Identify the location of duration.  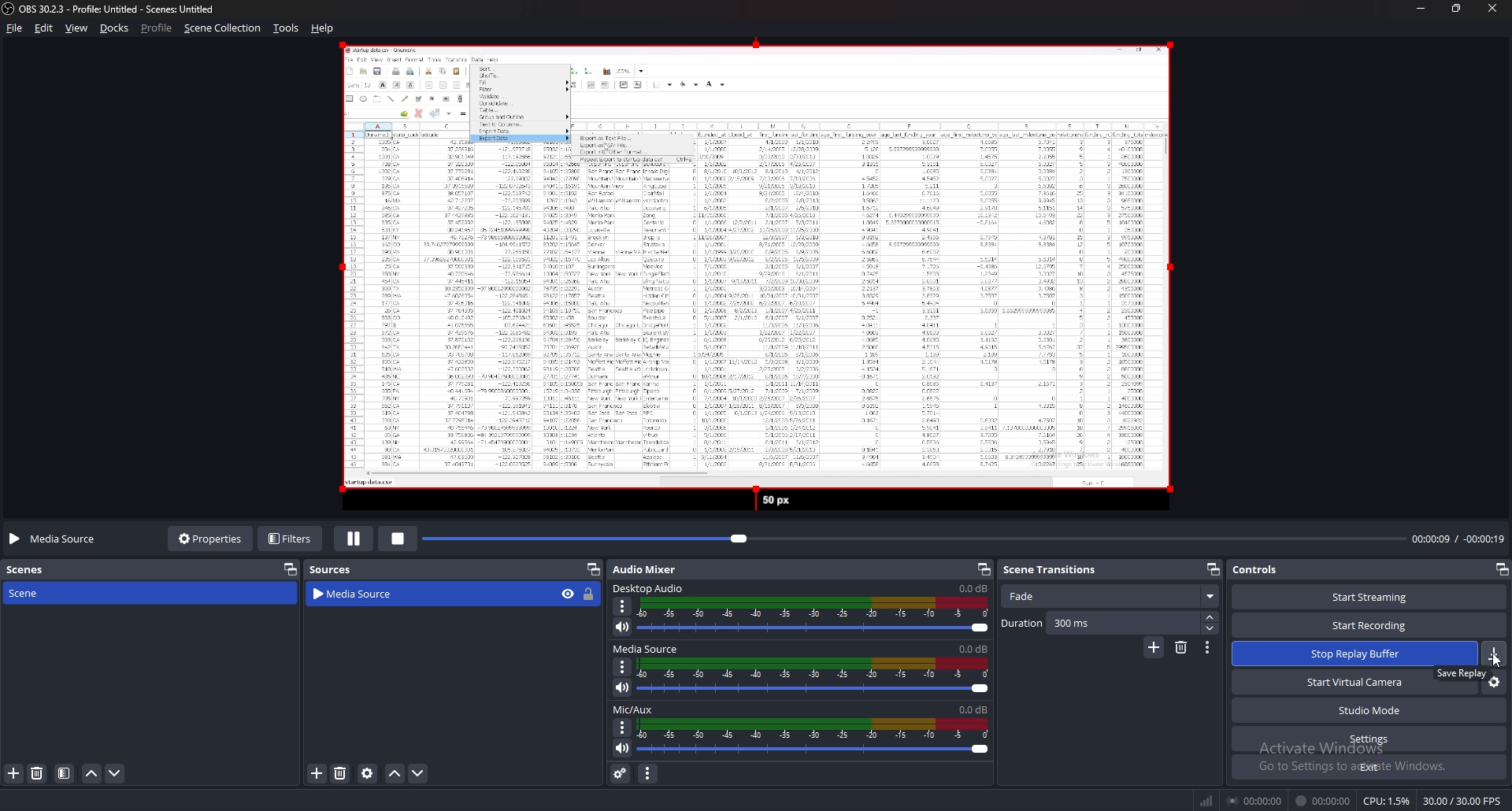
(1100, 623).